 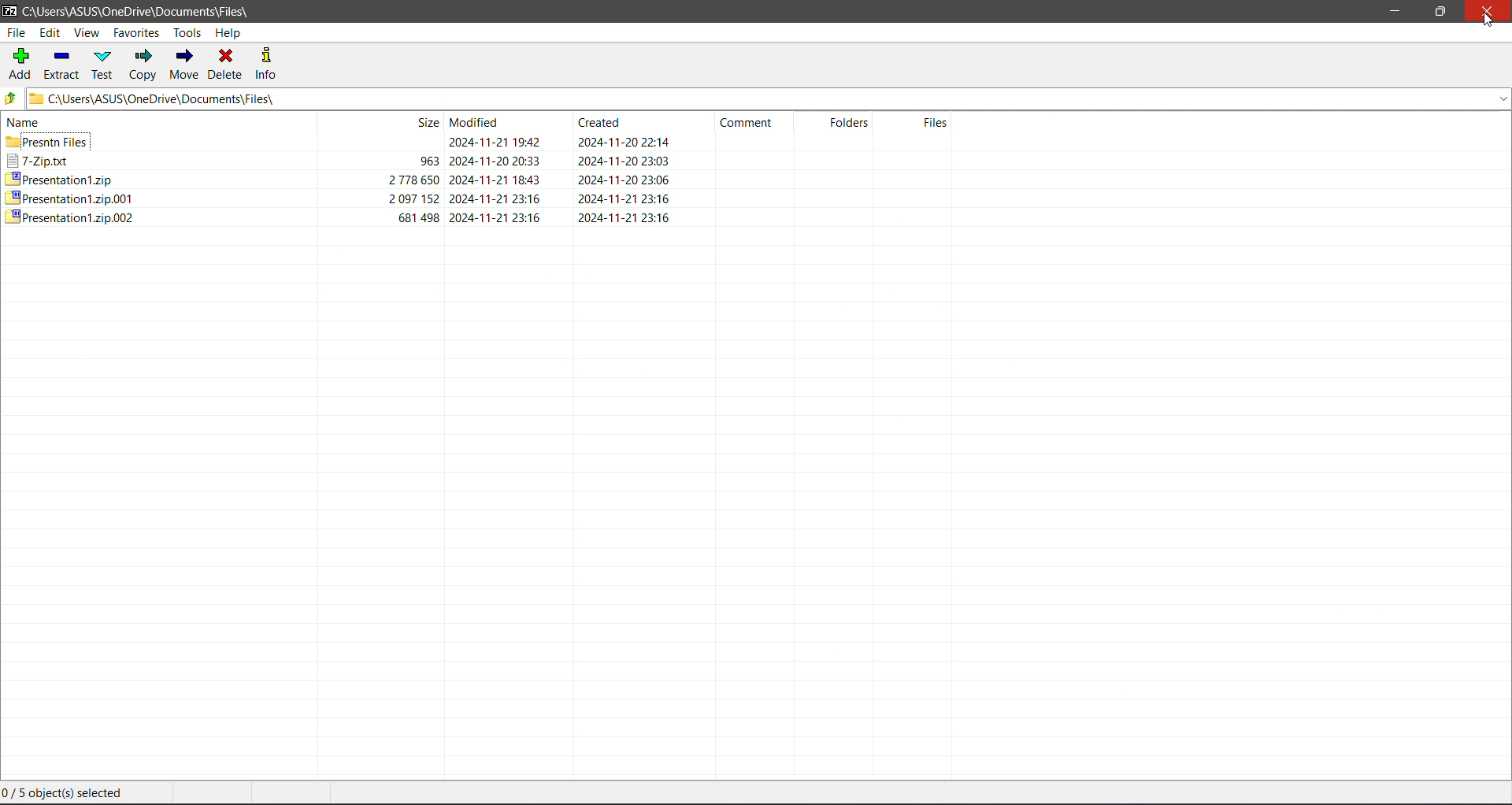 I want to click on Test, so click(x=103, y=65).